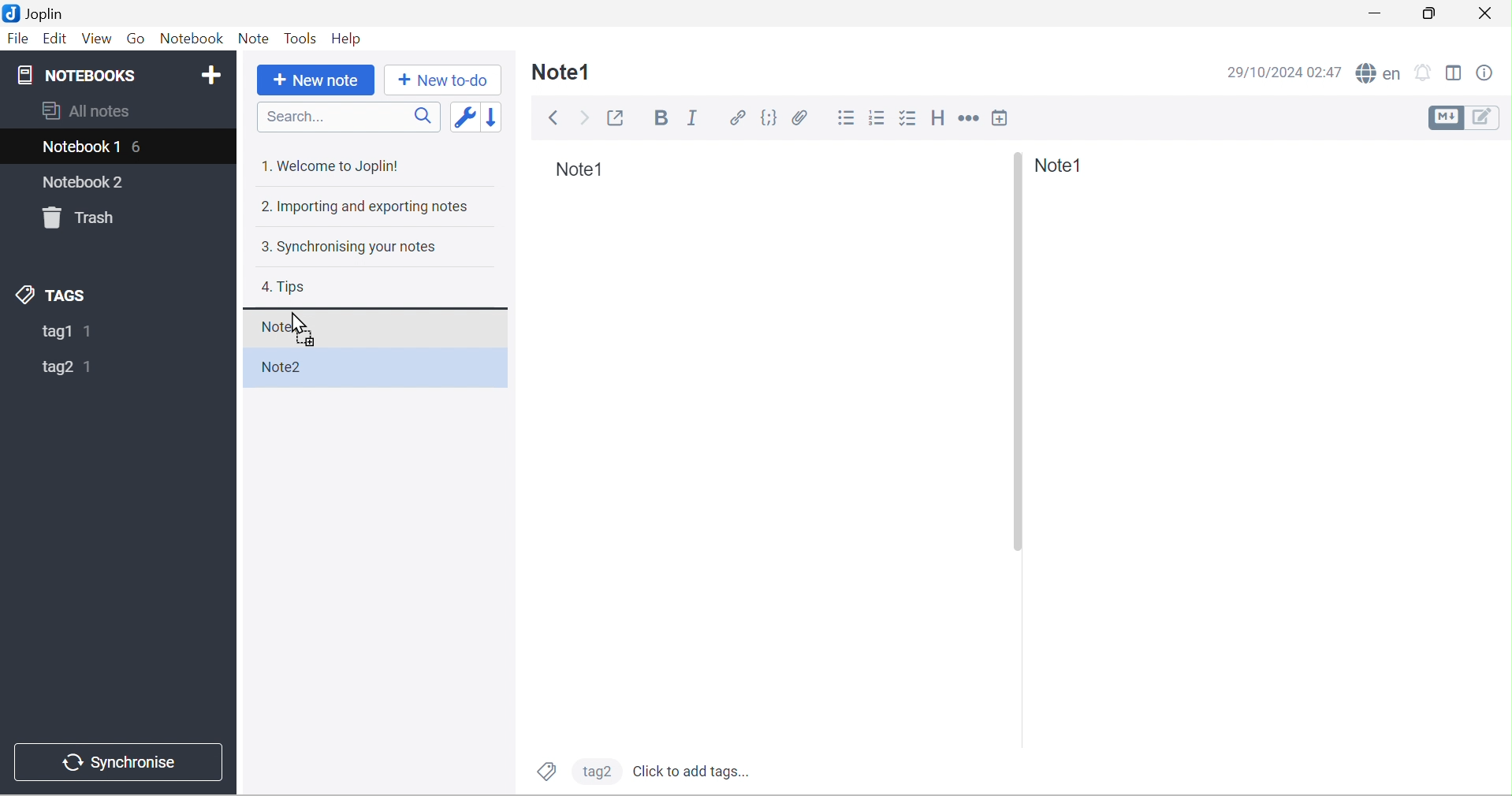 The image size is (1512, 796). I want to click on Toggle sort order field: updated date -> created date, so click(465, 117).